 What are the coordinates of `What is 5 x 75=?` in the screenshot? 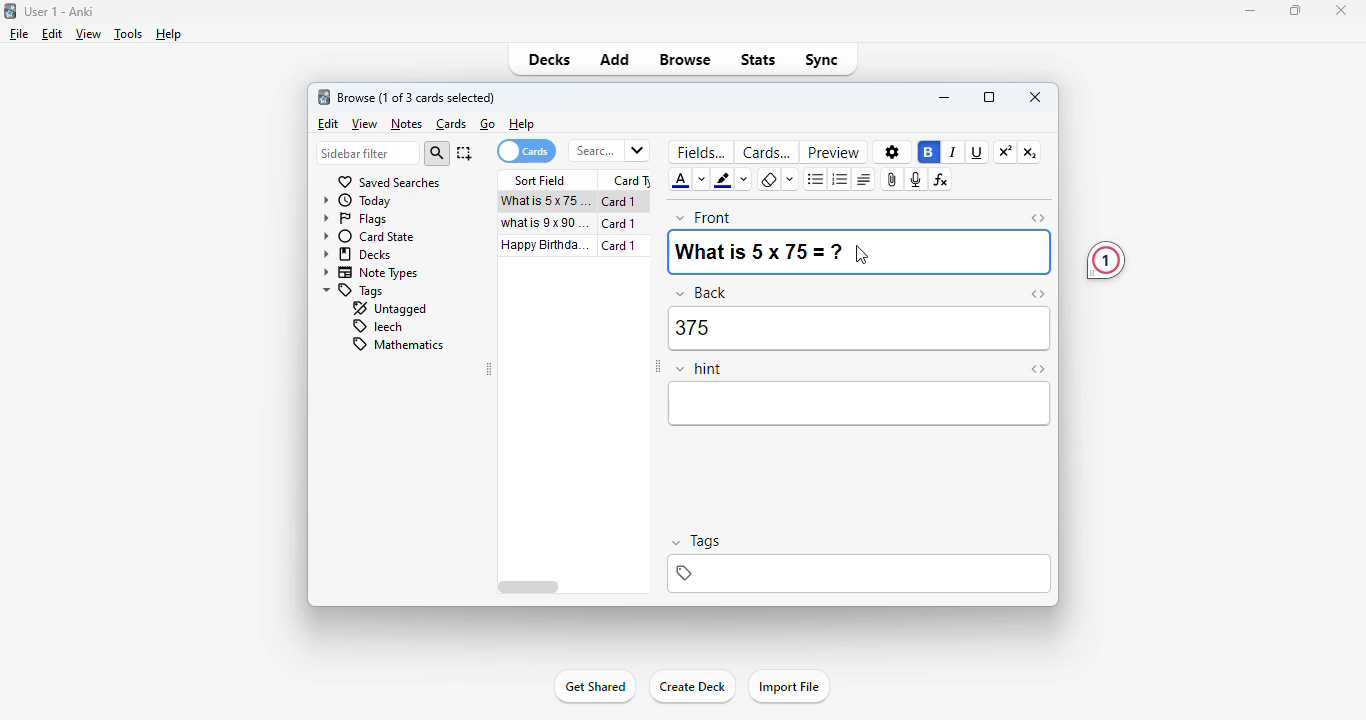 It's located at (756, 252).